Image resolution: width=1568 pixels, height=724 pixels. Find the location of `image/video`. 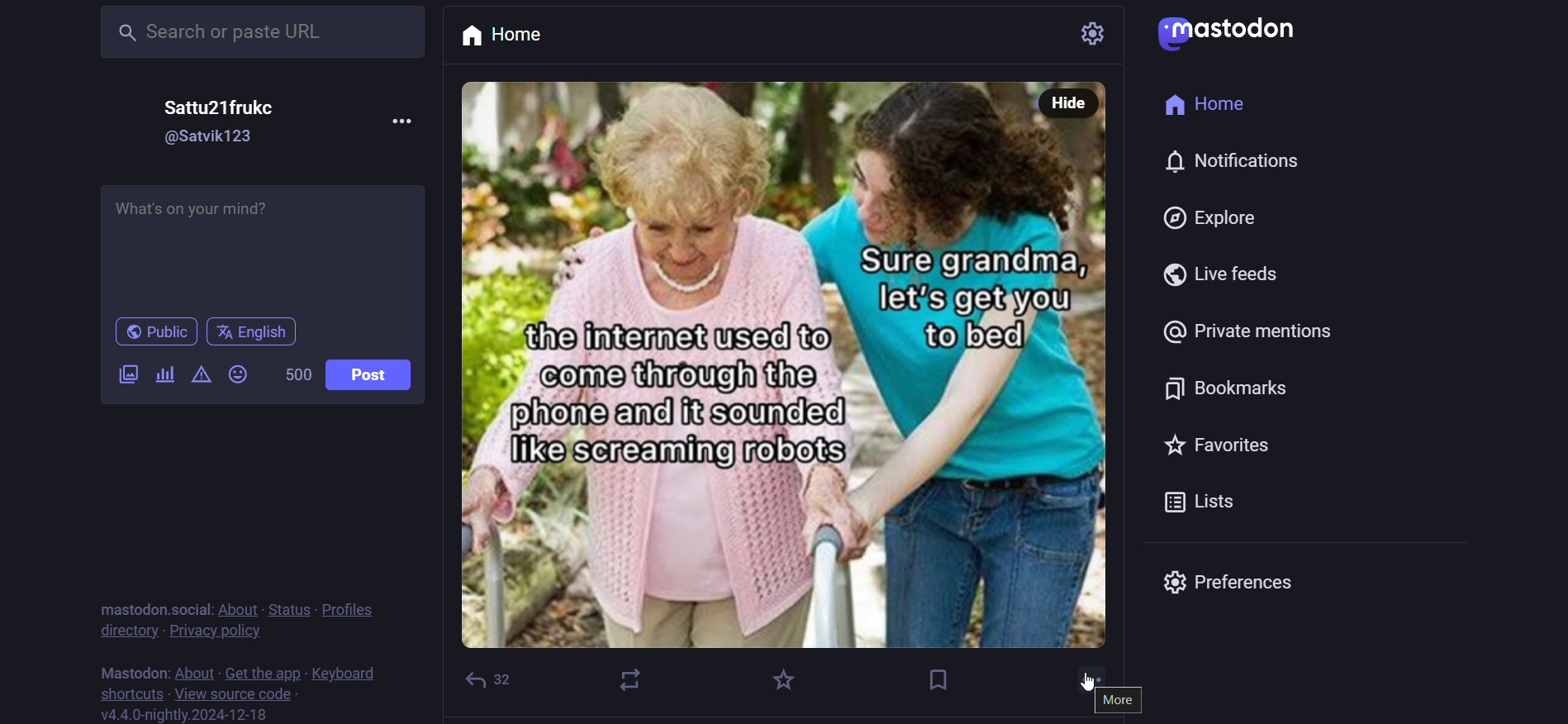

image/video is located at coordinates (123, 373).